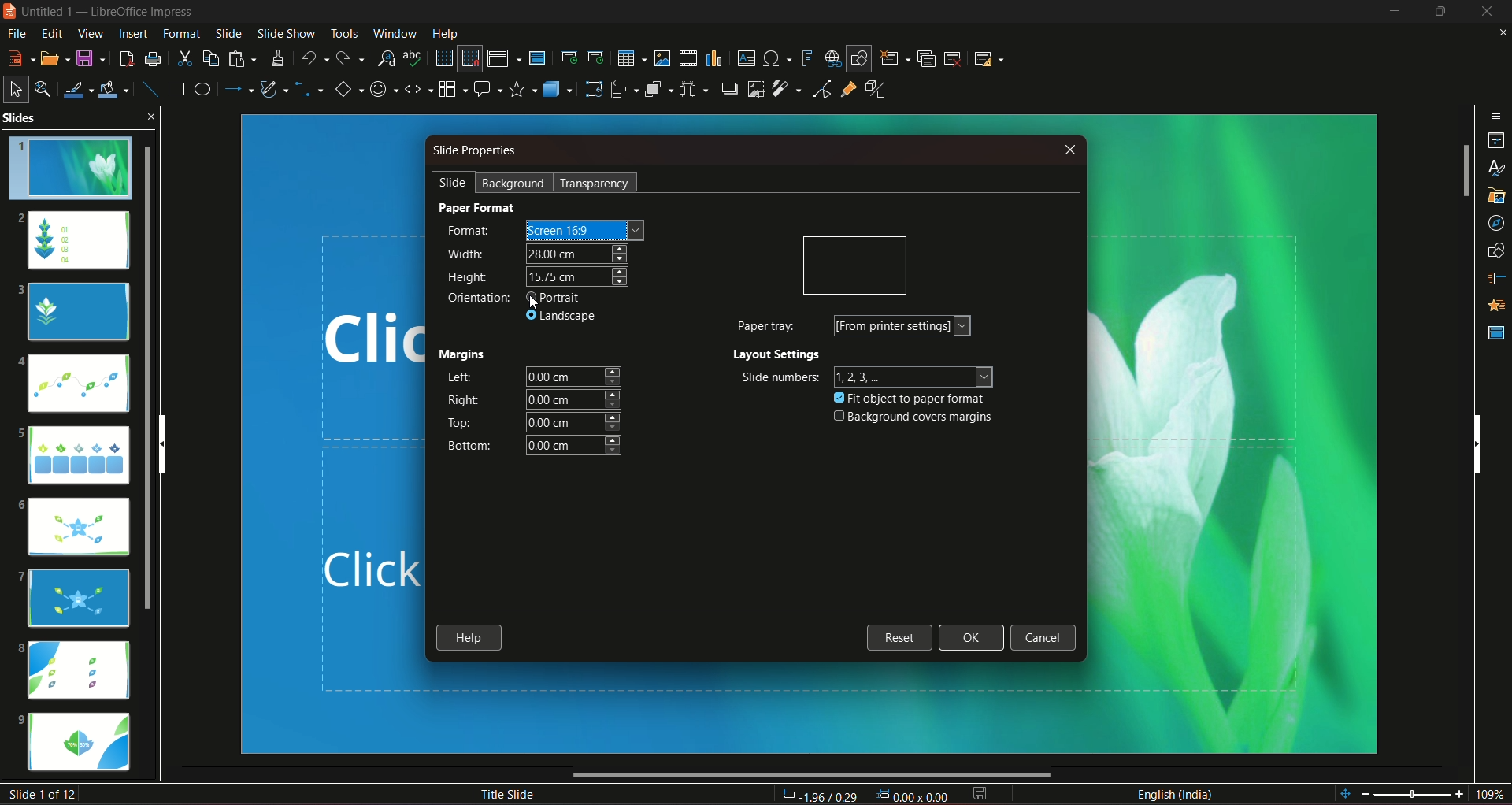 This screenshot has width=1512, height=805. Describe the element at coordinates (574, 399) in the screenshot. I see `right margin` at that location.